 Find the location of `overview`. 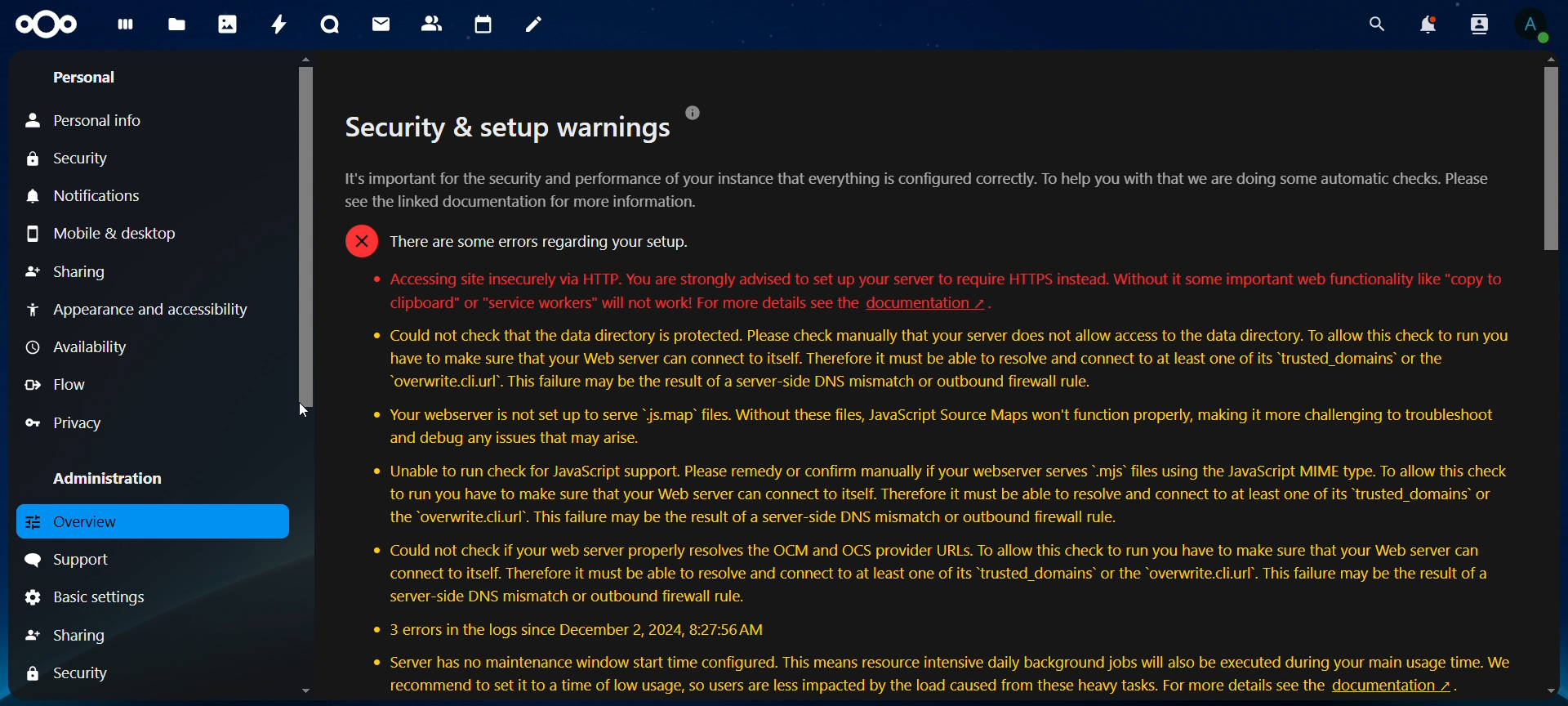

overview is located at coordinates (104, 522).